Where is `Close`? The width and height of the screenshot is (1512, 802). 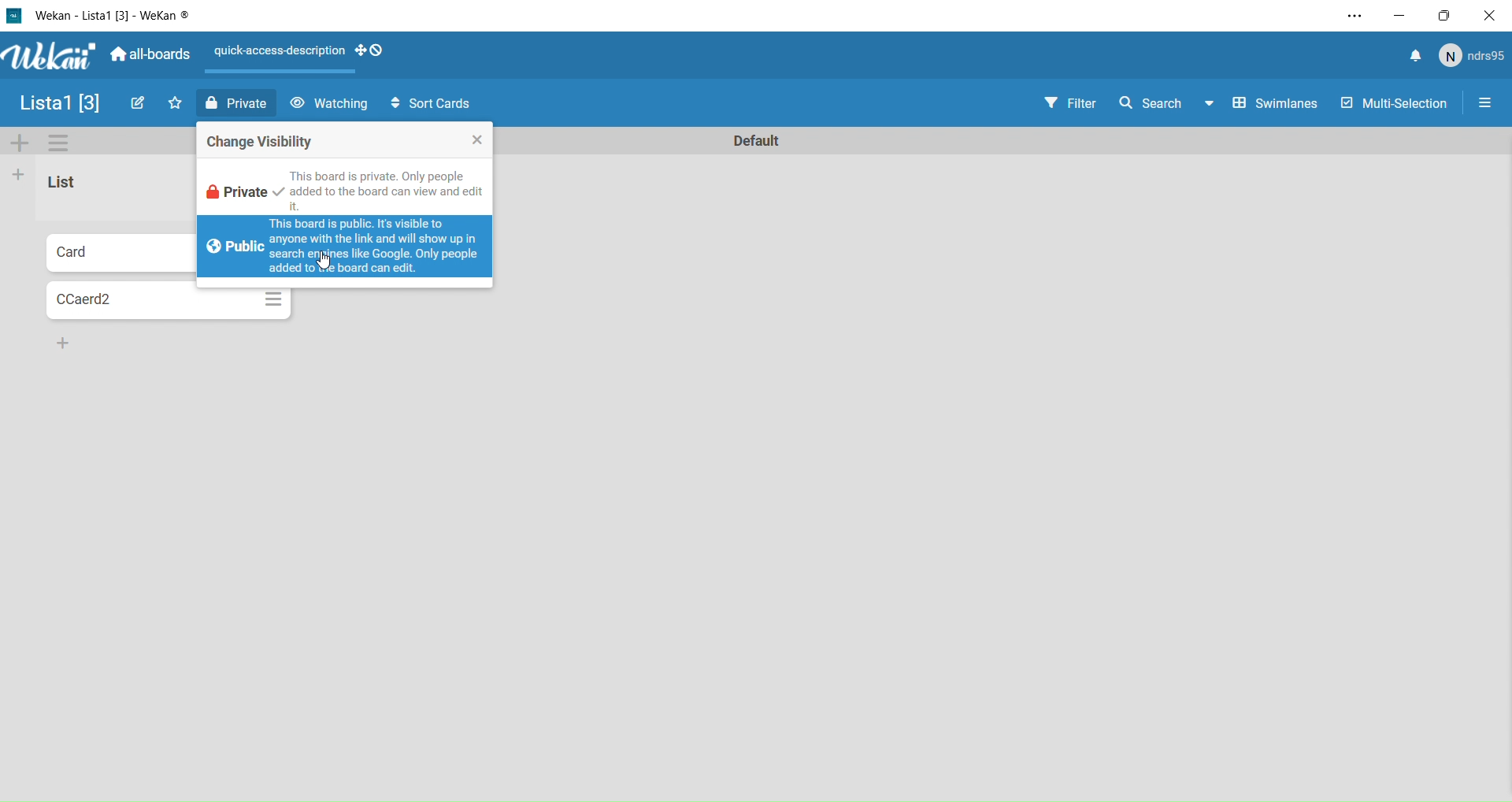
Close is located at coordinates (1488, 13).